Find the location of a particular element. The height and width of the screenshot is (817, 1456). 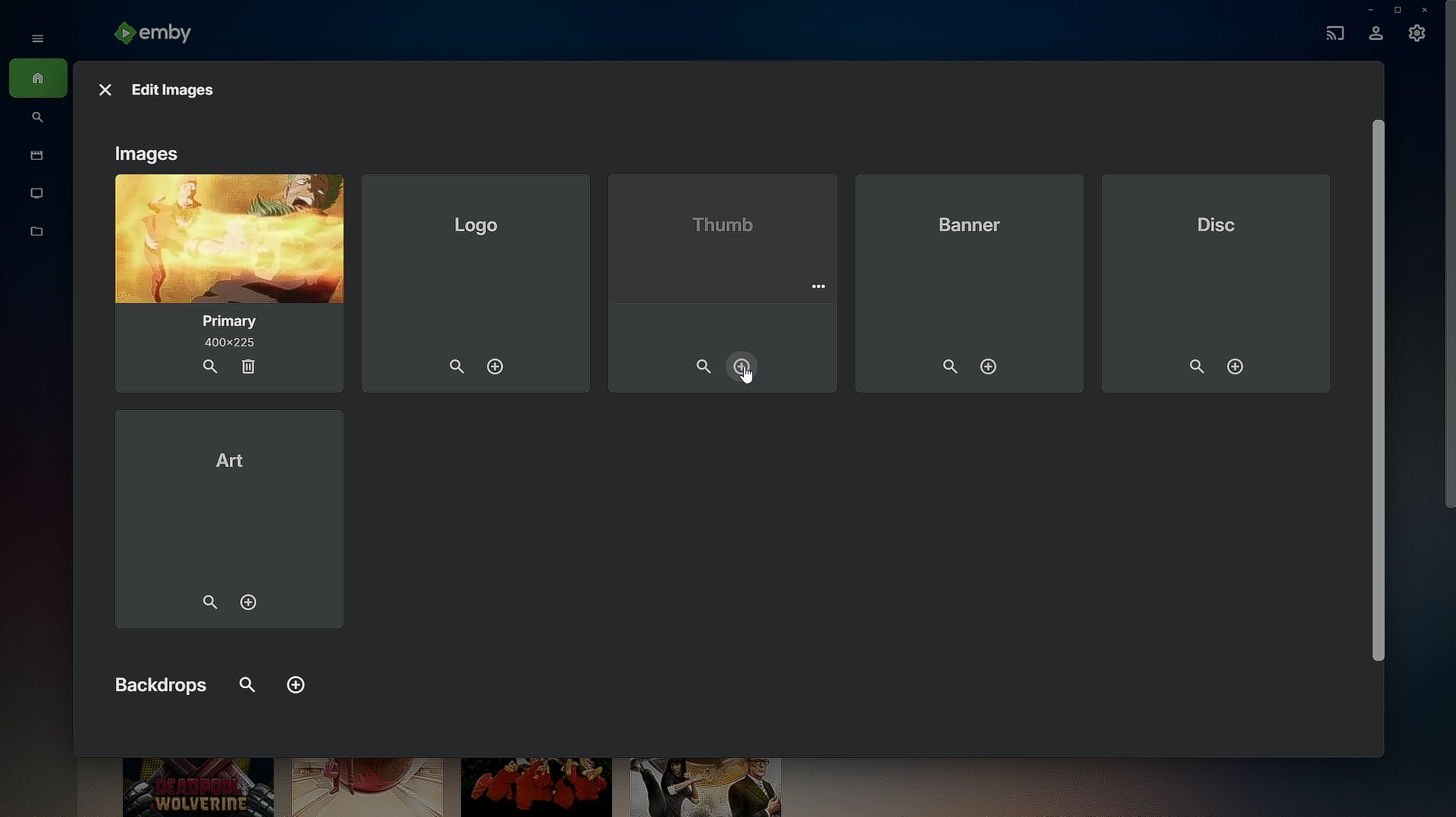

Settings is located at coordinates (1418, 37).